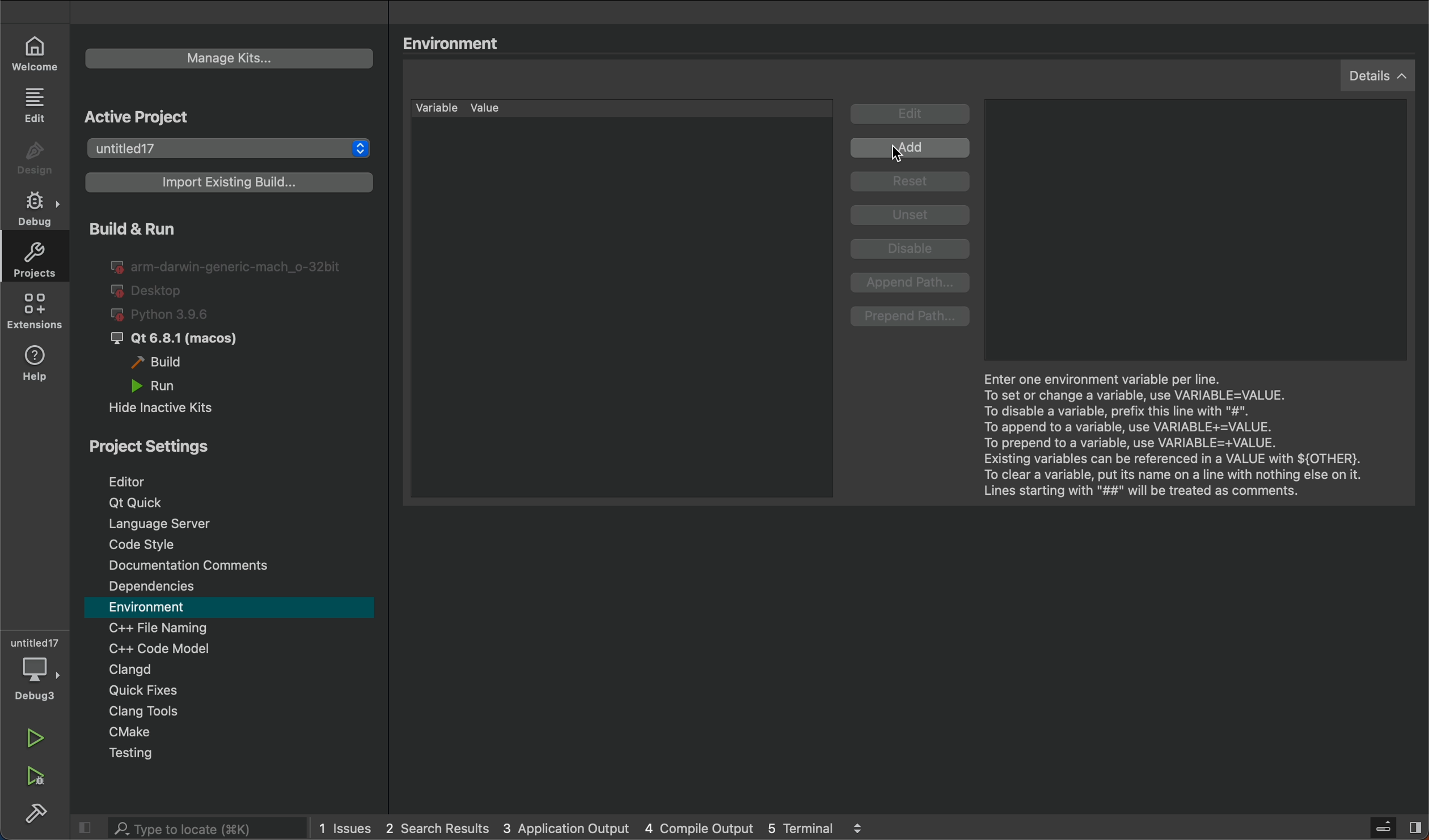 The width and height of the screenshot is (1429, 840). I want to click on hide inactive kits, so click(173, 406).